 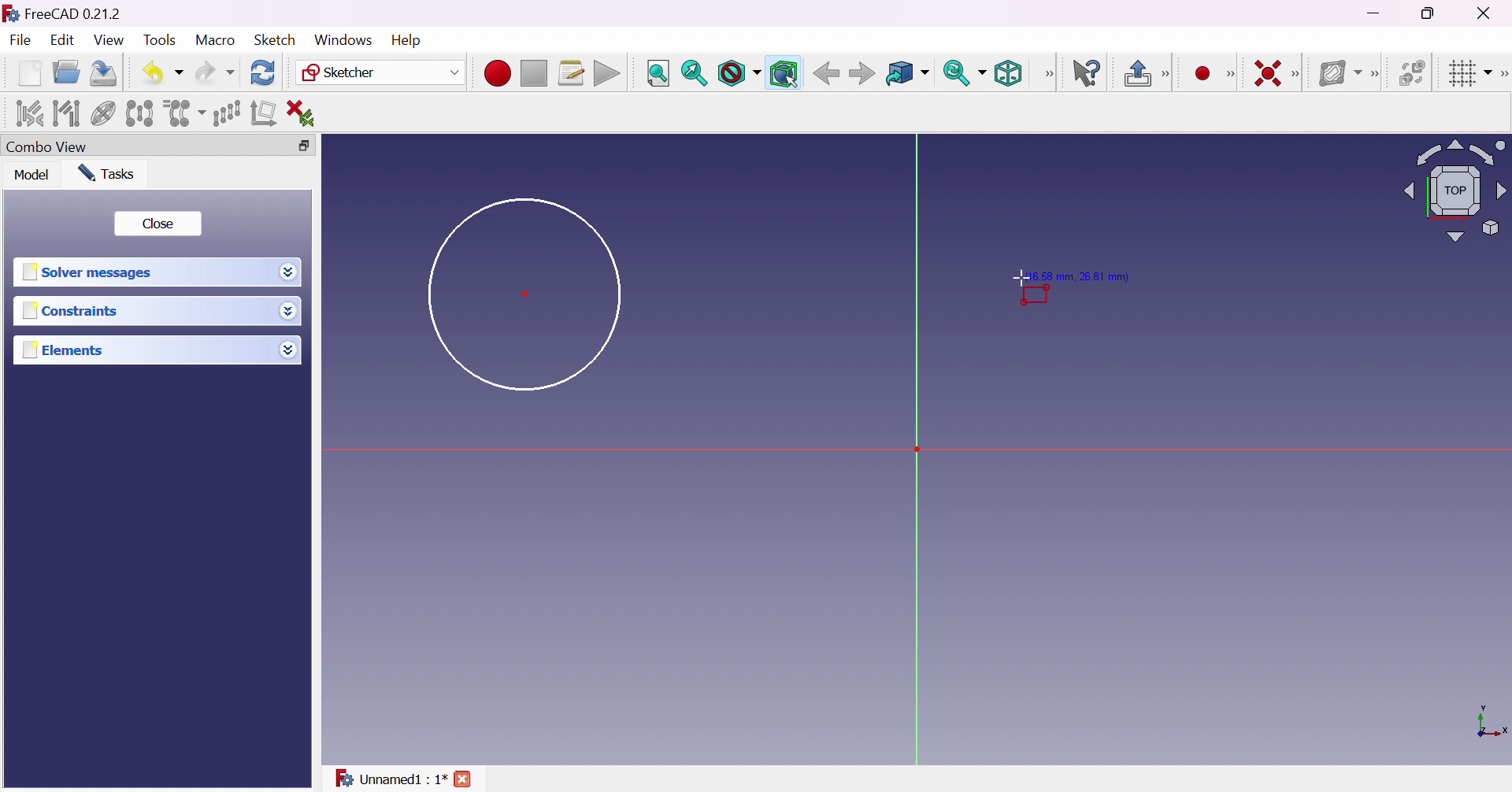 What do you see at coordinates (1033, 287) in the screenshot?
I see `Cursor` at bounding box center [1033, 287].